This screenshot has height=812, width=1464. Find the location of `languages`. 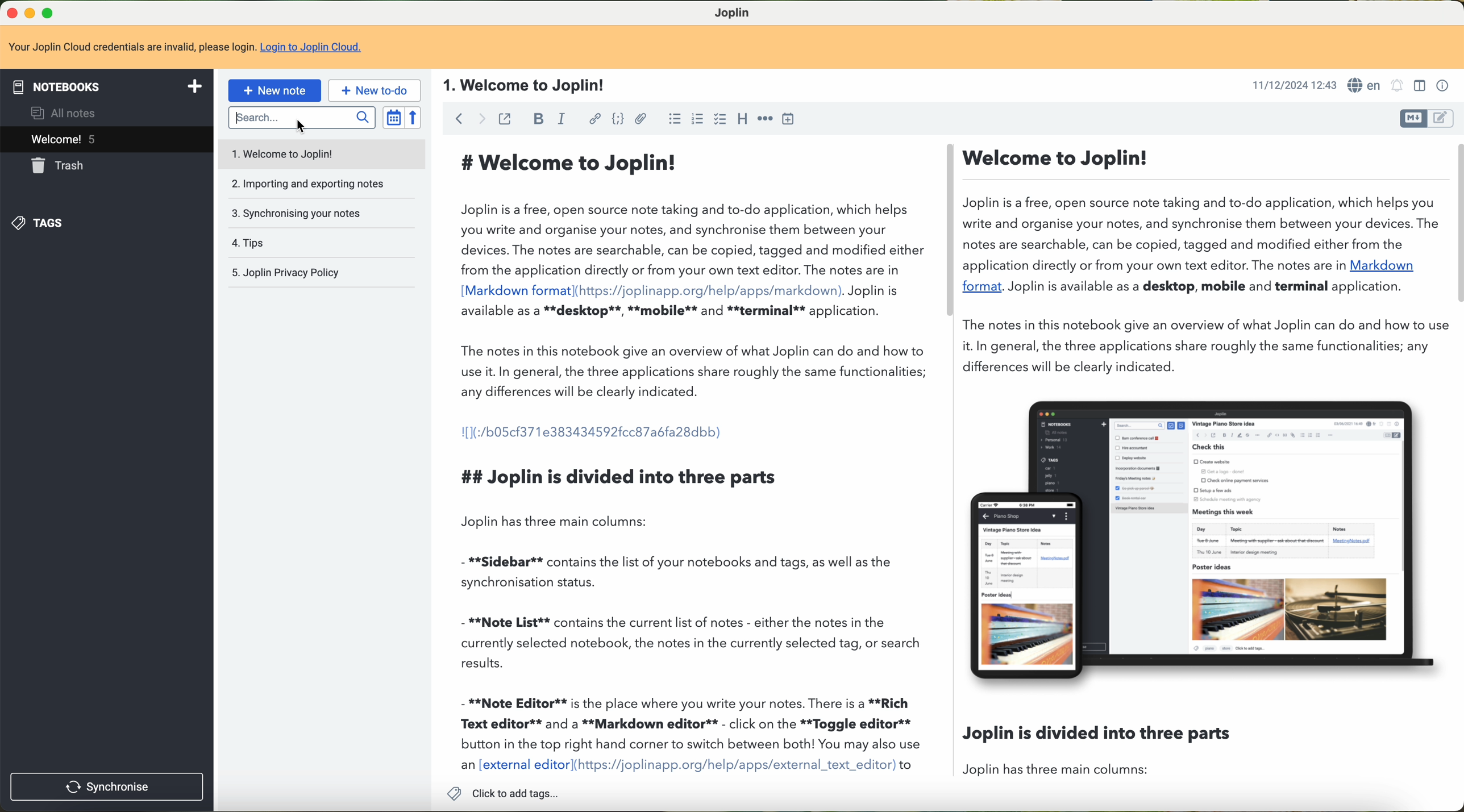

languages is located at coordinates (1365, 86).